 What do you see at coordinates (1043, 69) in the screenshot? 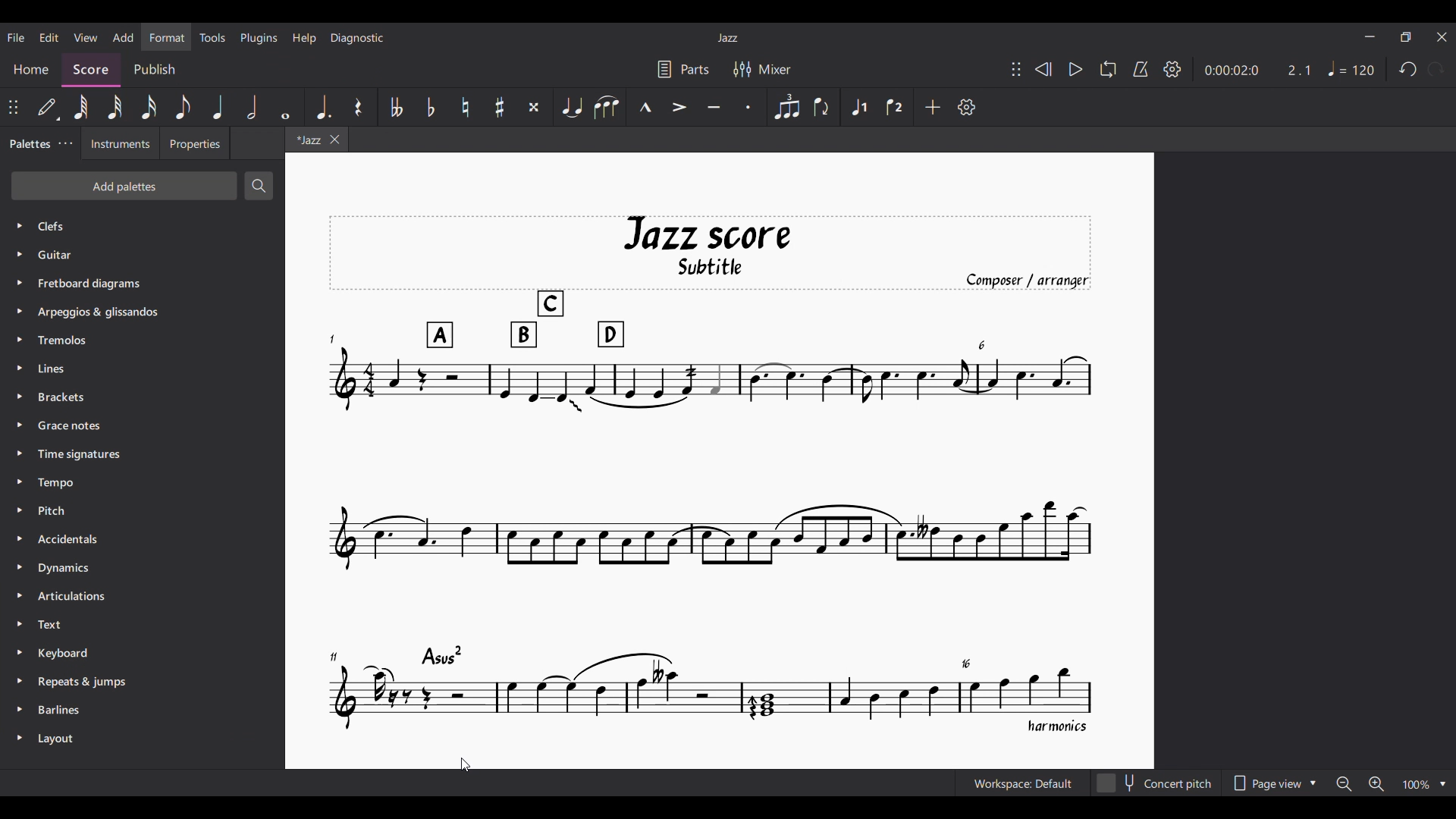
I see `Rewind` at bounding box center [1043, 69].